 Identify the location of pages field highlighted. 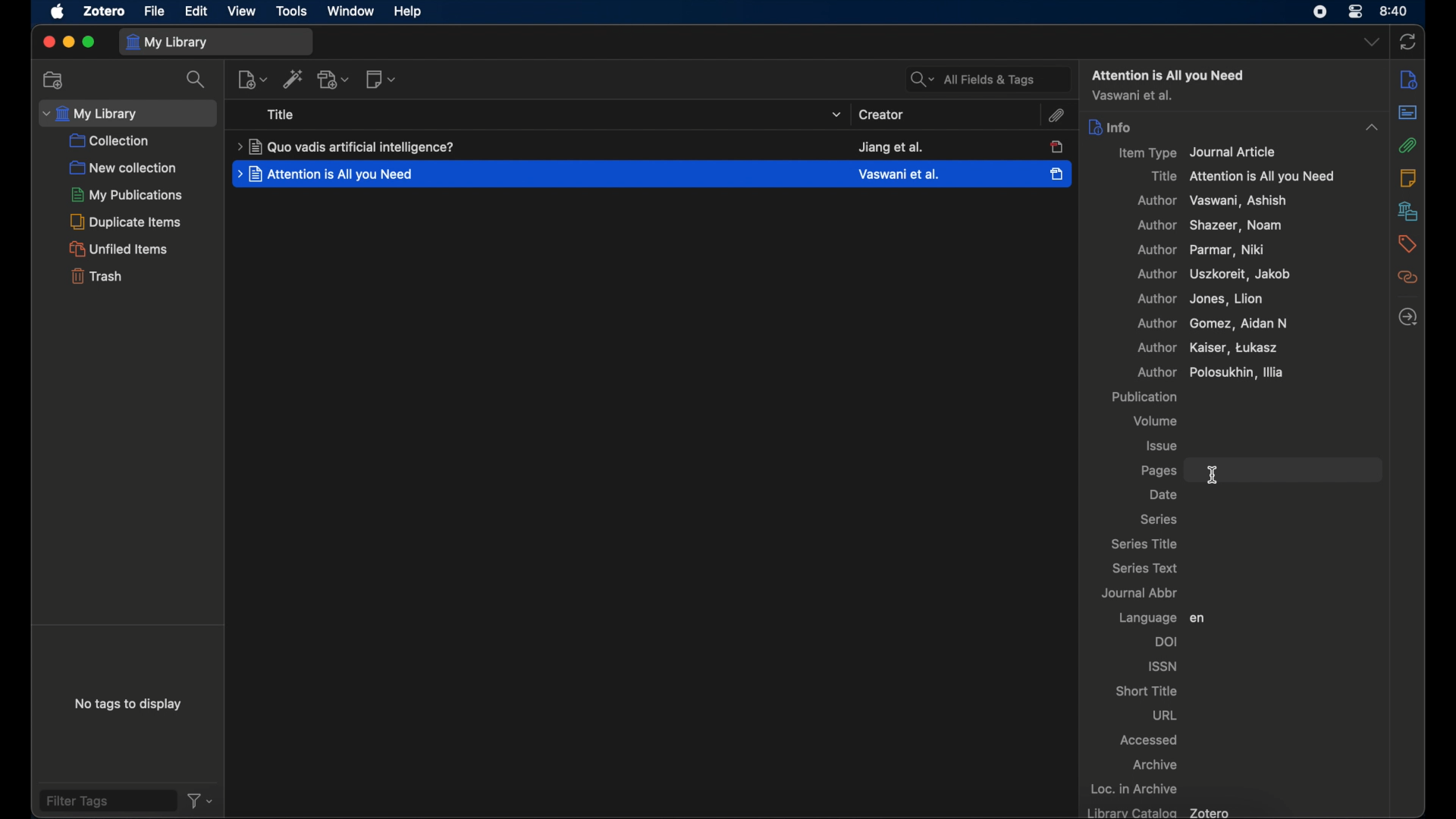
(1235, 469).